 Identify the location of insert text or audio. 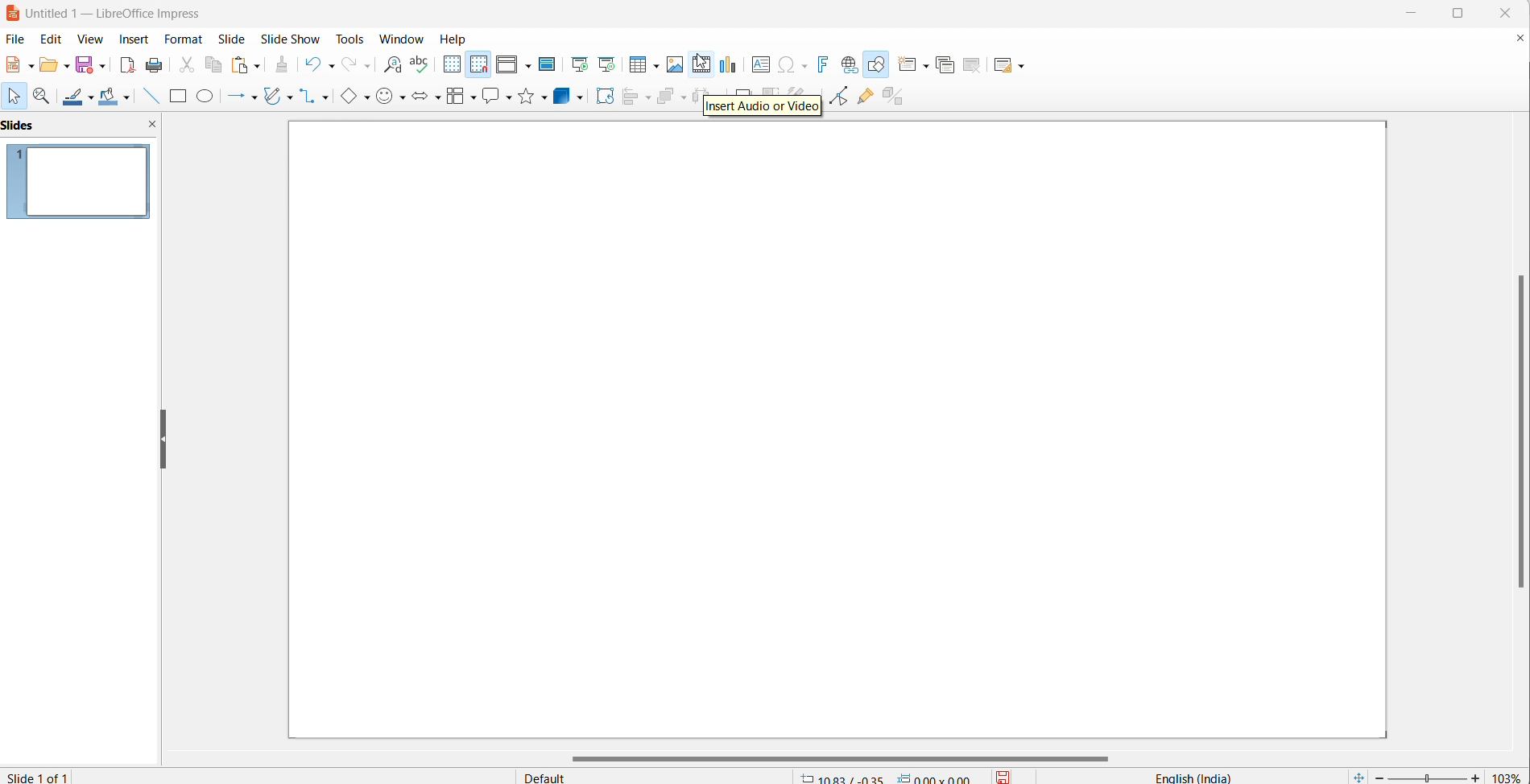
(761, 109).